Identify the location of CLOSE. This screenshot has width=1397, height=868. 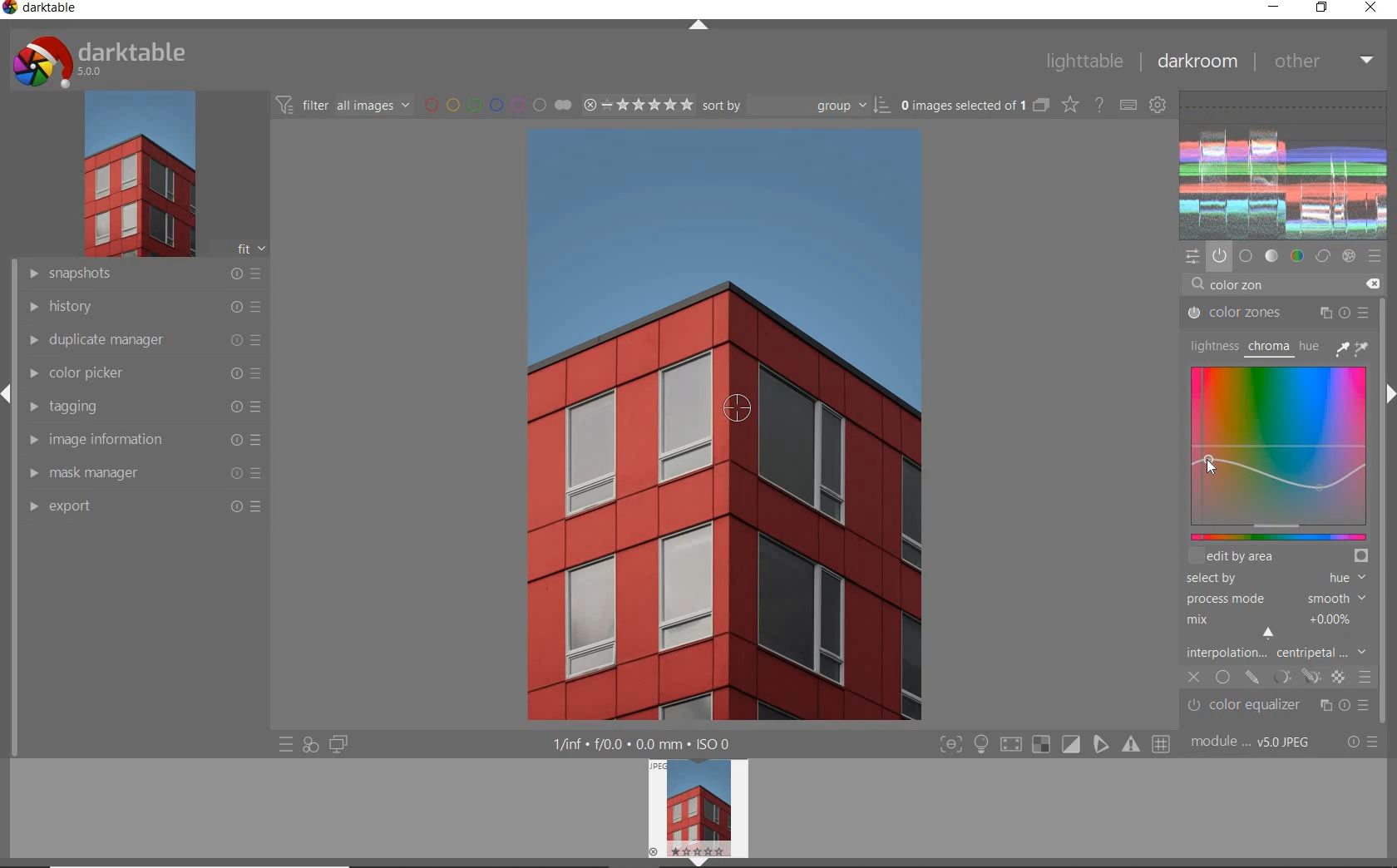
(1194, 678).